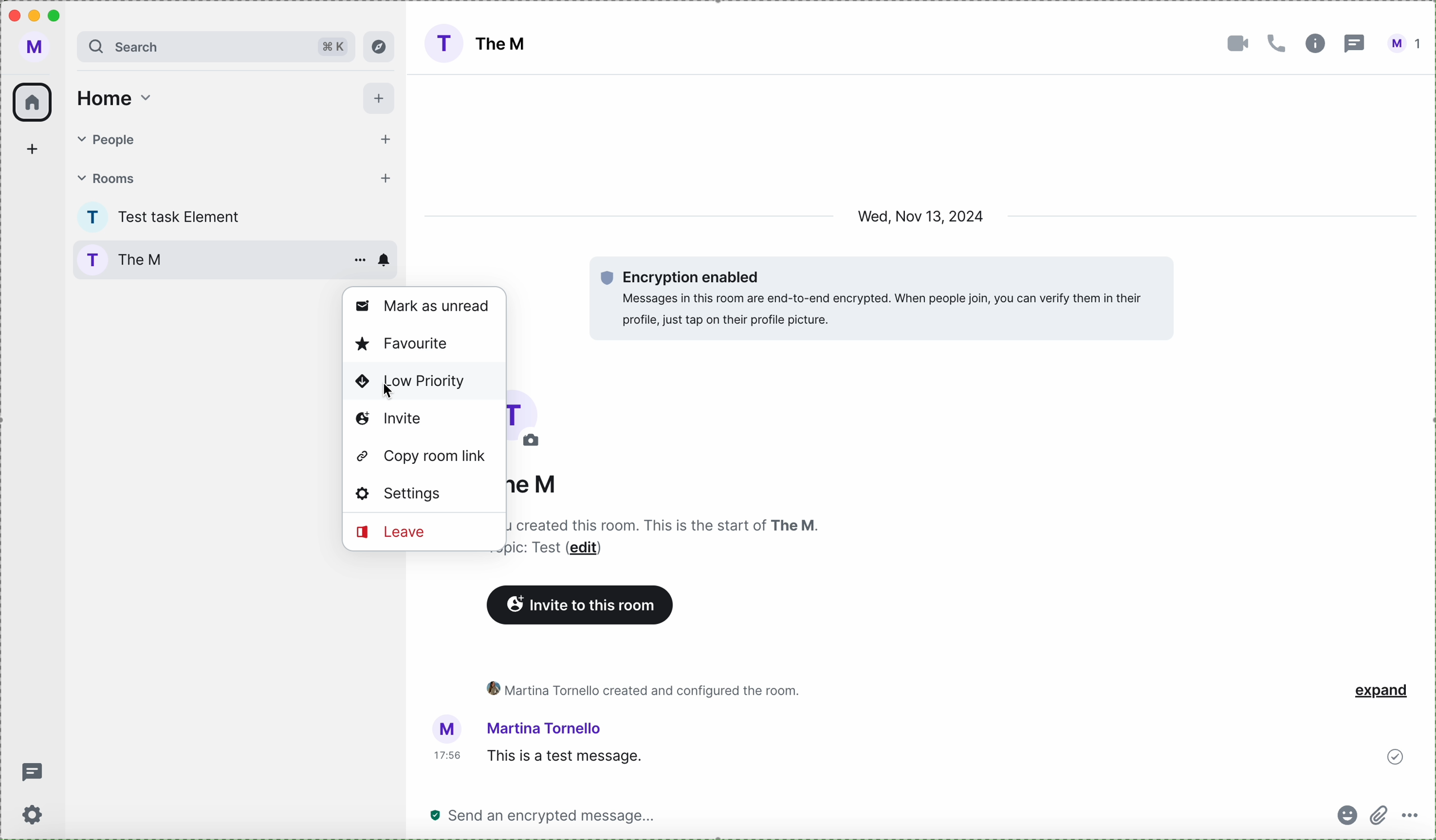  Describe the element at coordinates (1383, 691) in the screenshot. I see `expand` at that location.